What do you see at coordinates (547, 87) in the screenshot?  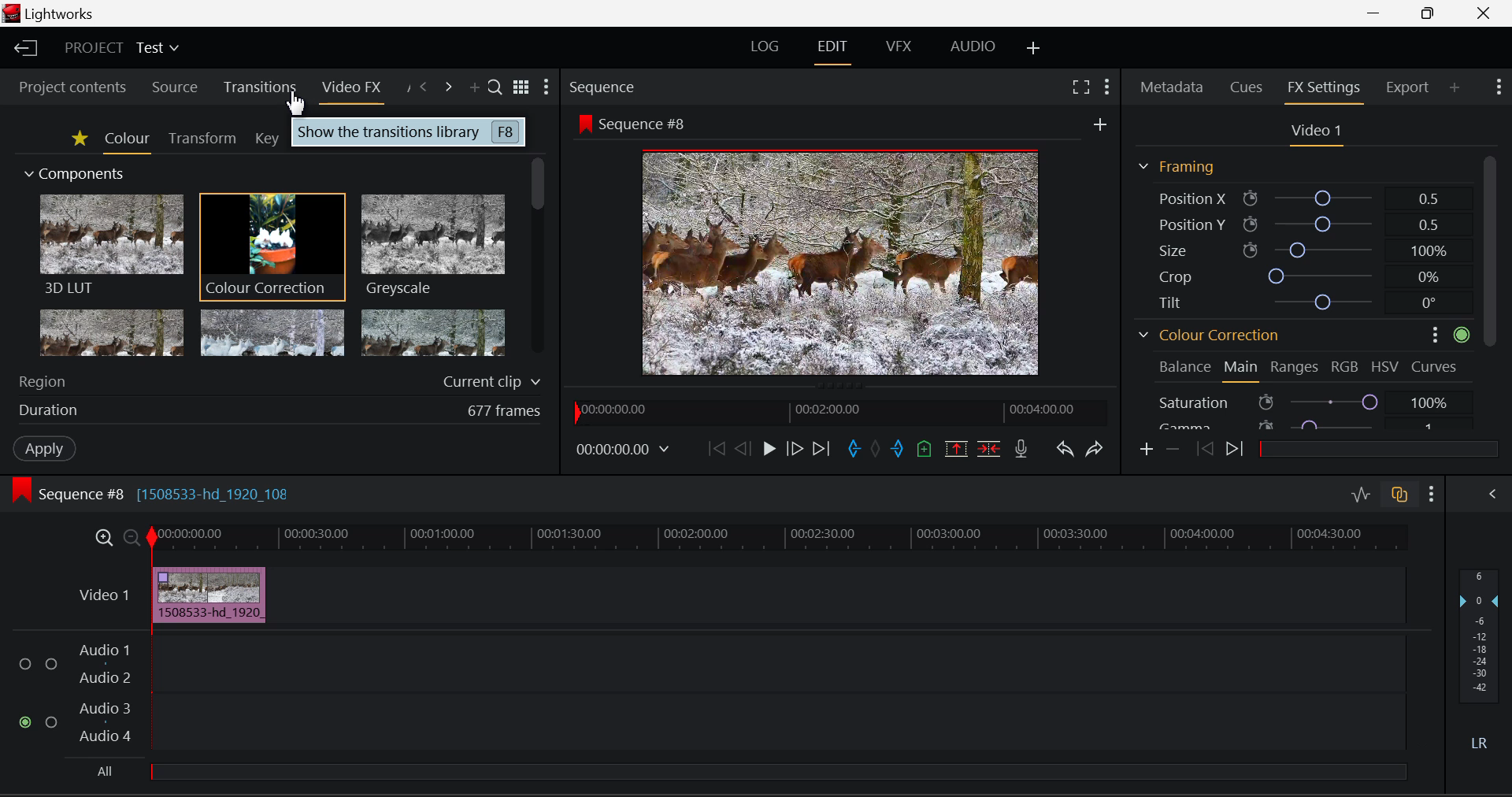 I see `Show Settings` at bounding box center [547, 87].